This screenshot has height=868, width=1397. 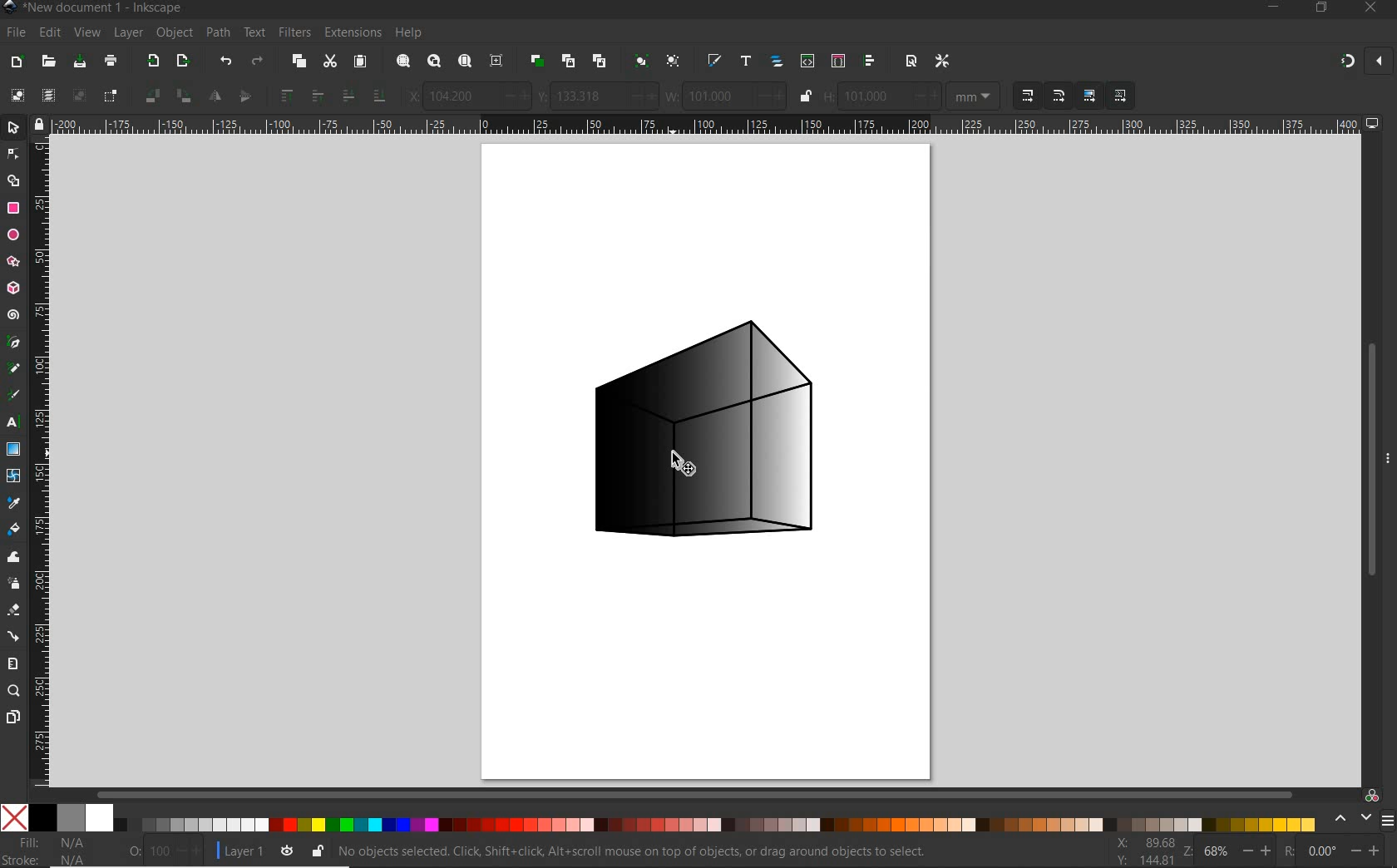 I want to click on ERASER TOOL, so click(x=14, y=611).